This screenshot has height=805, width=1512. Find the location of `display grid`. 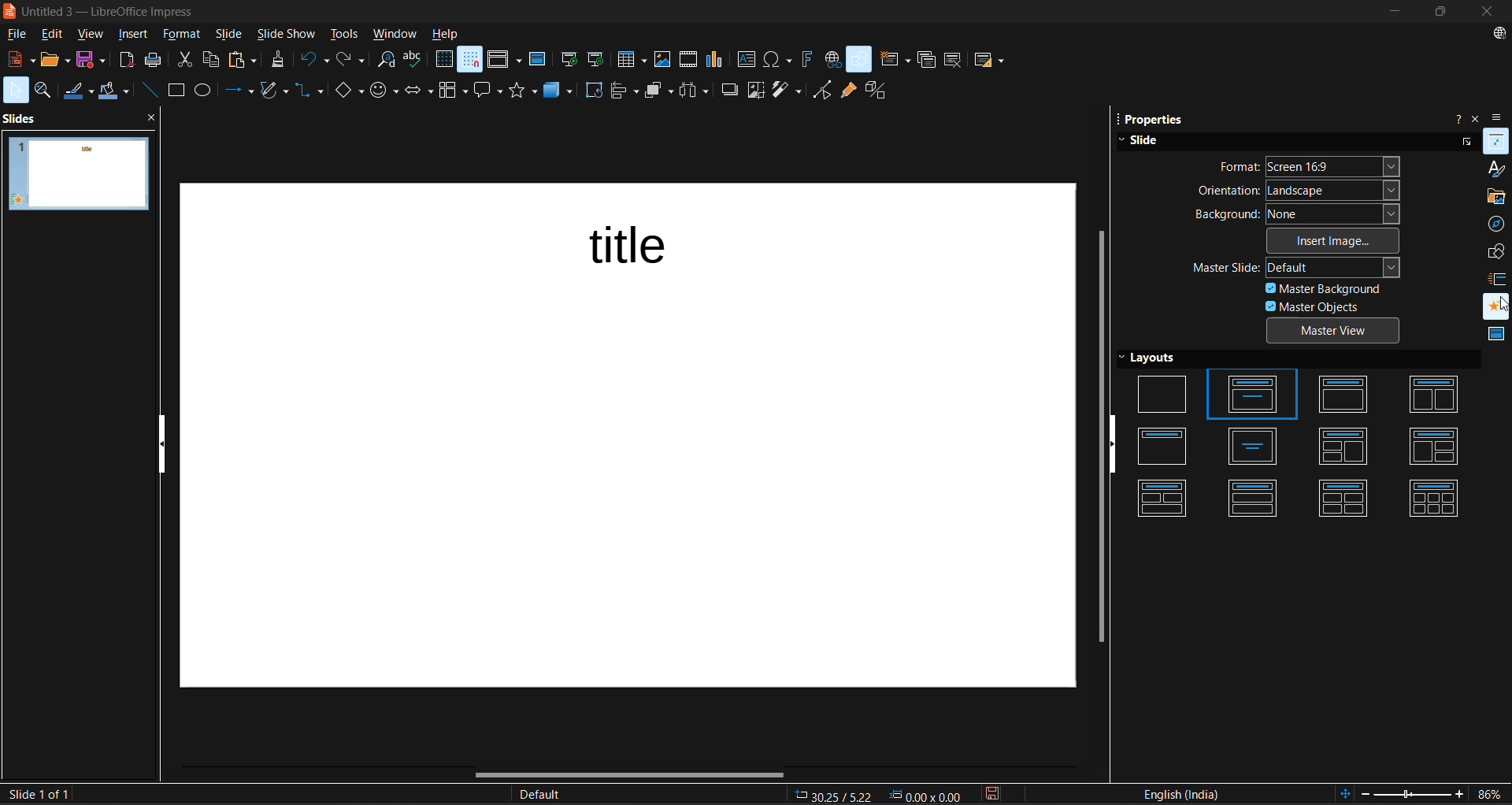

display grid is located at coordinates (444, 59).